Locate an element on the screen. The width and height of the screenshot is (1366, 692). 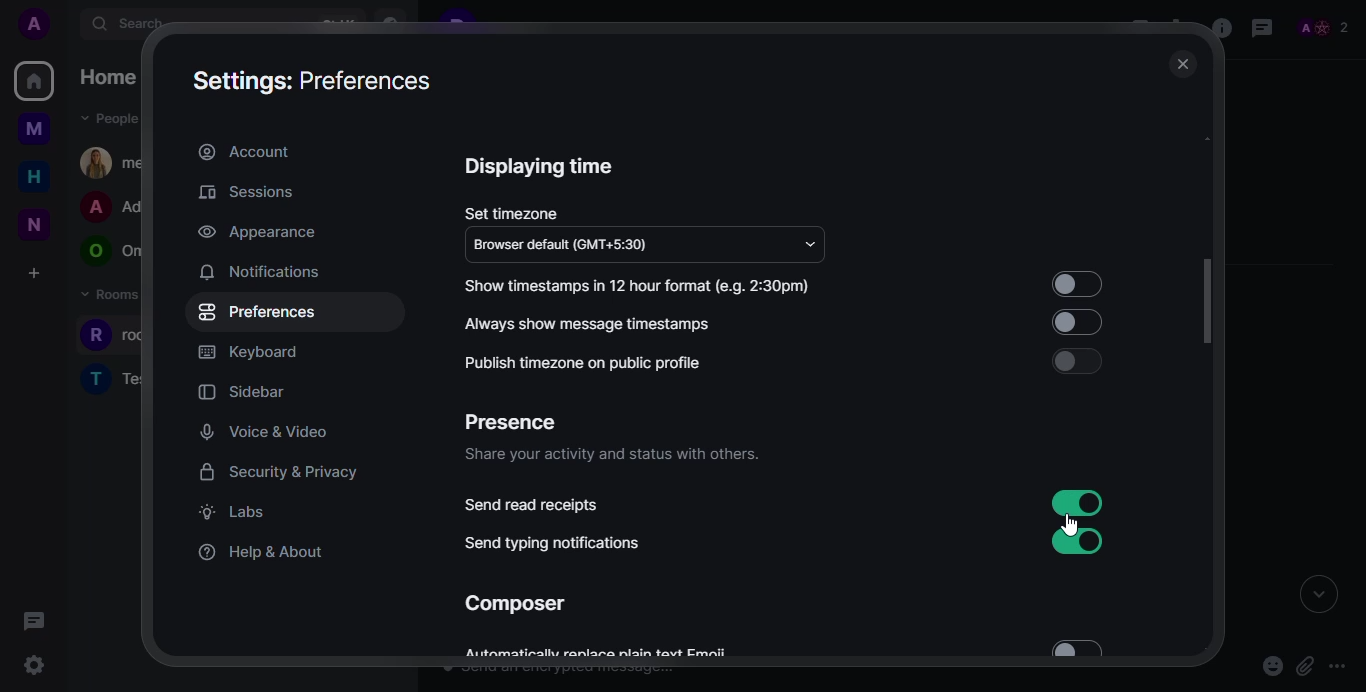
info is located at coordinates (1218, 29).